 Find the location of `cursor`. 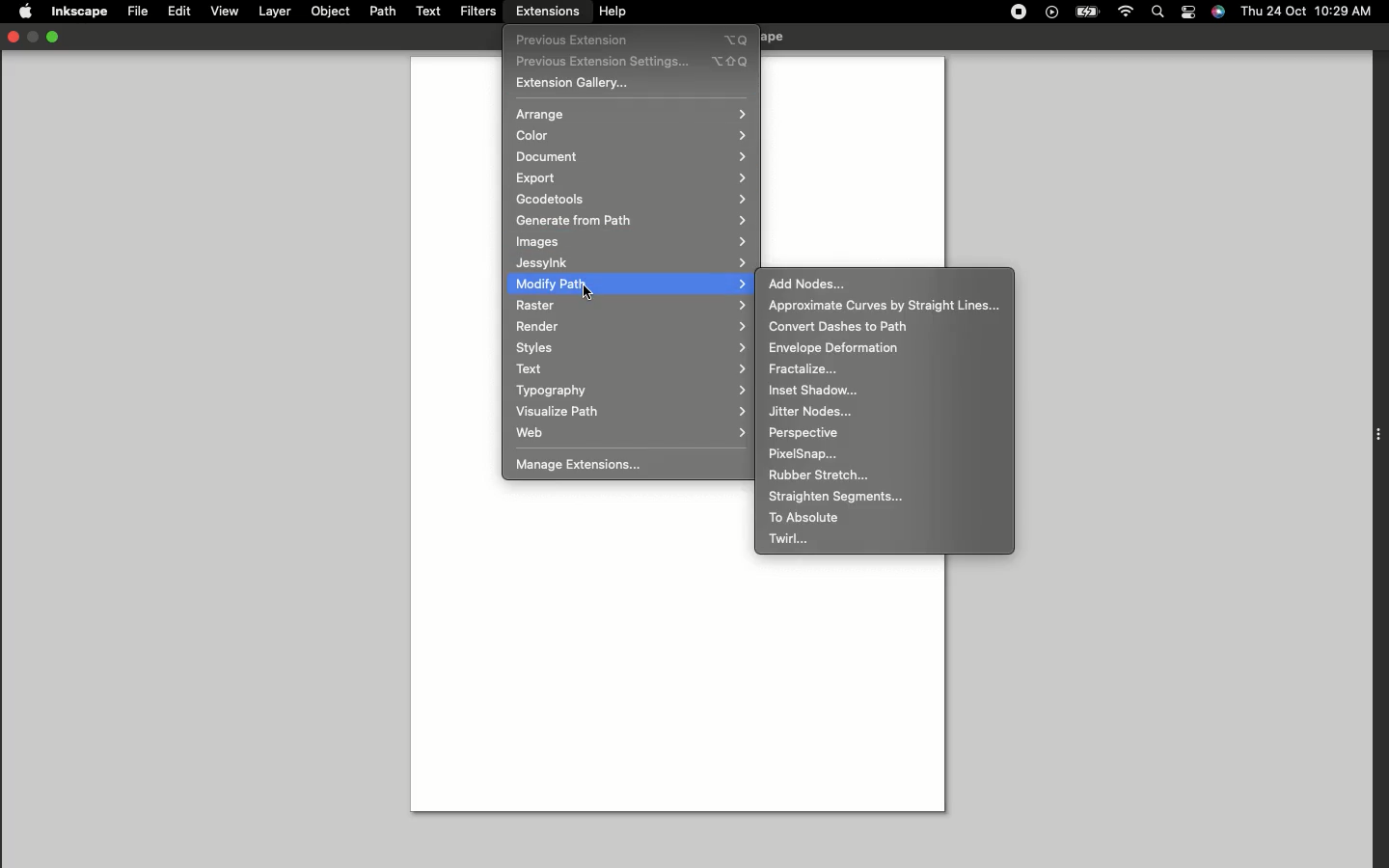

cursor is located at coordinates (589, 291).